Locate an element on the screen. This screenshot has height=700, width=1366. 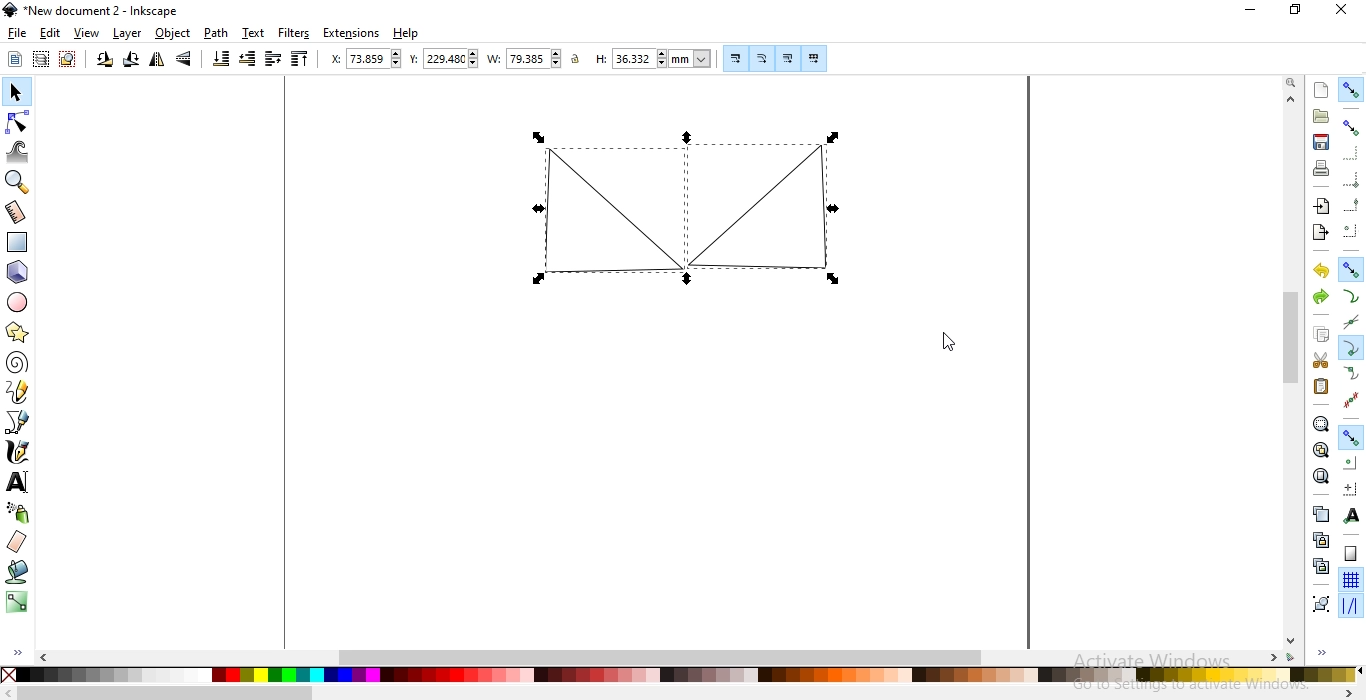
help is located at coordinates (406, 34).